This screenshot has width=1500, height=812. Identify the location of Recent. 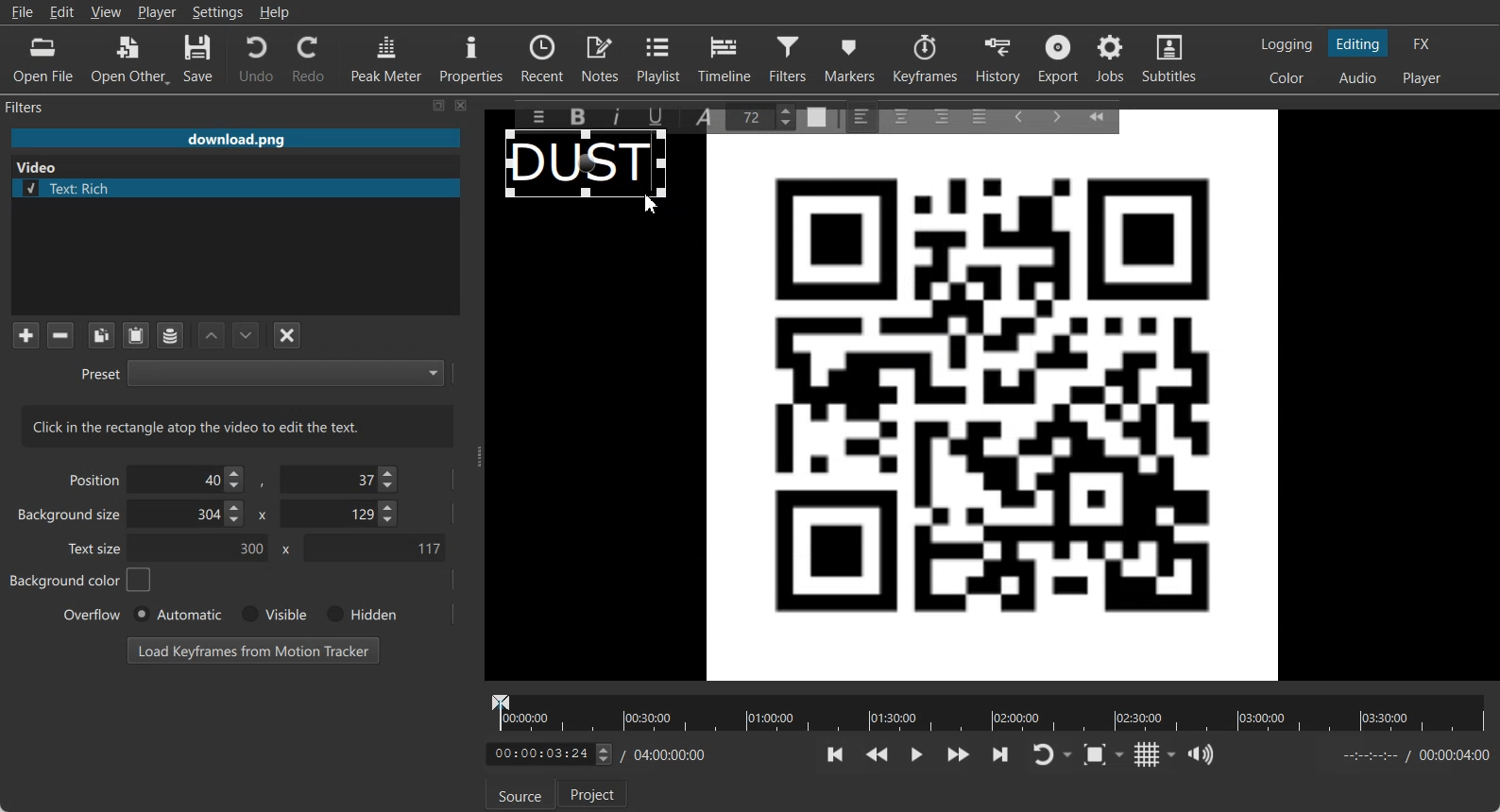
(542, 57).